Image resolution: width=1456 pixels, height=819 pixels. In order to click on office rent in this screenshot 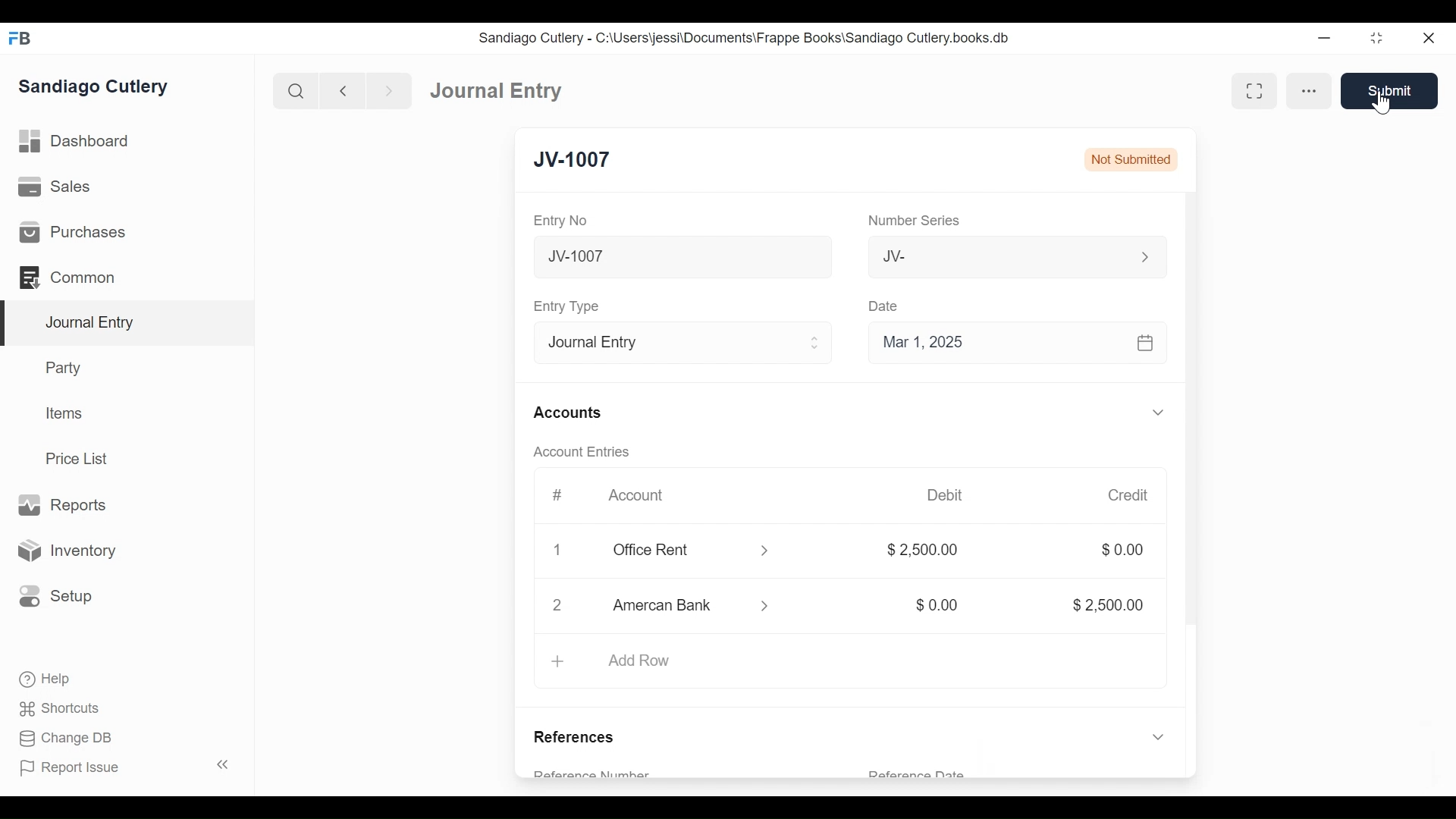, I will do `click(689, 551)`.